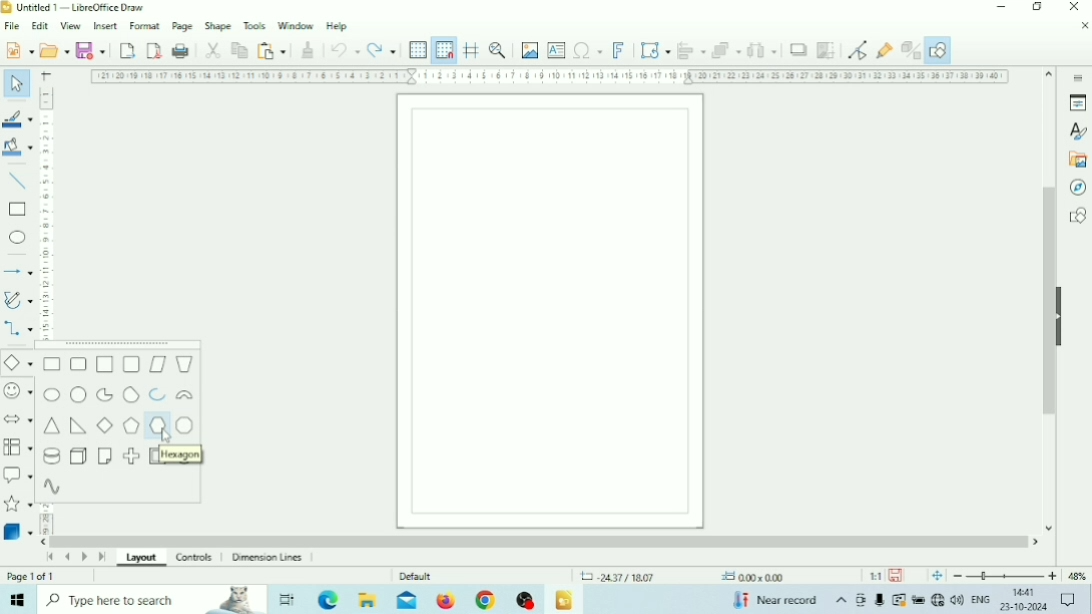 The image size is (1092, 614). I want to click on Cut, so click(213, 51).